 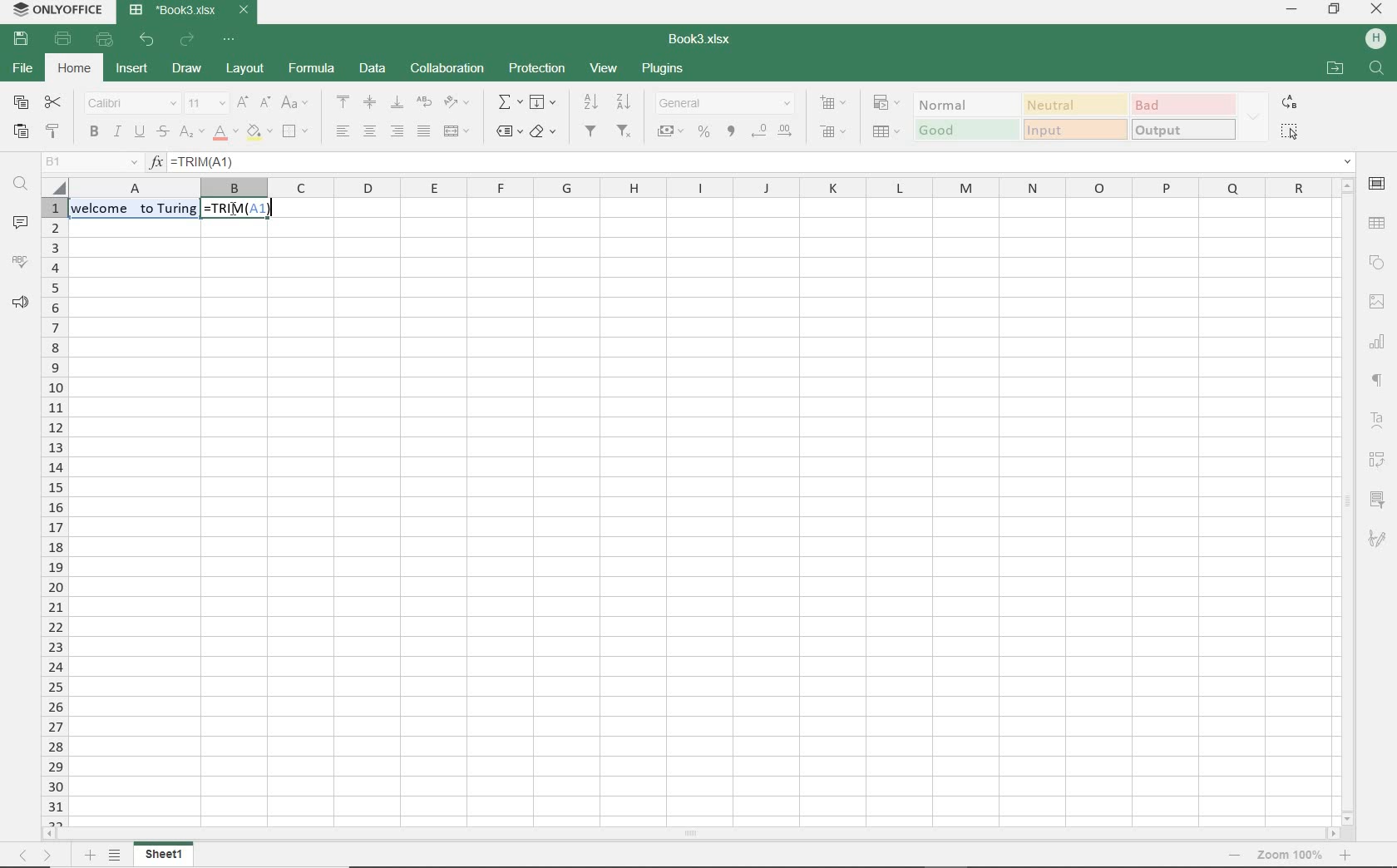 I want to click on increment font size, so click(x=242, y=104).